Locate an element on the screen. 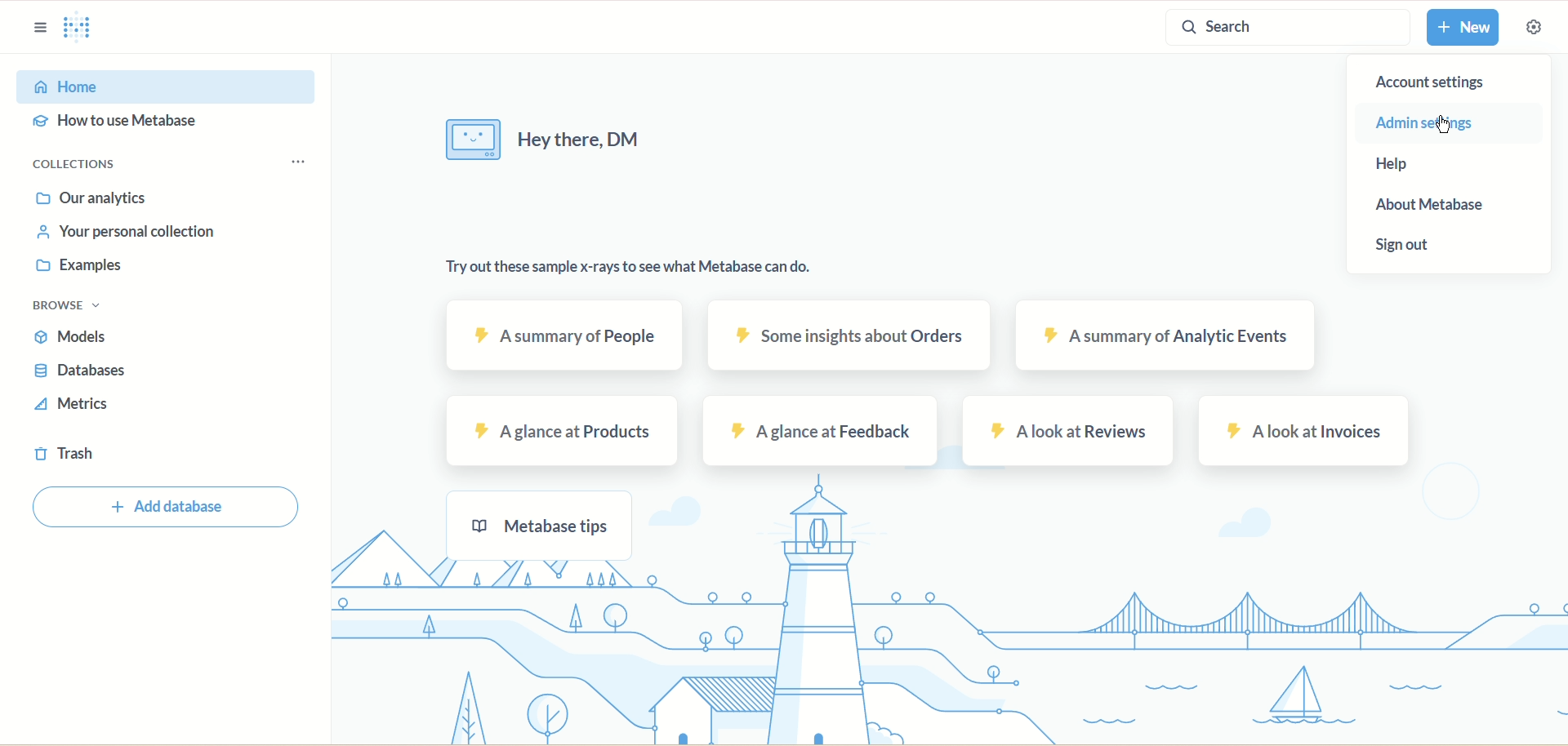 This screenshot has height=746, width=1568. Metrics is located at coordinates (74, 402).